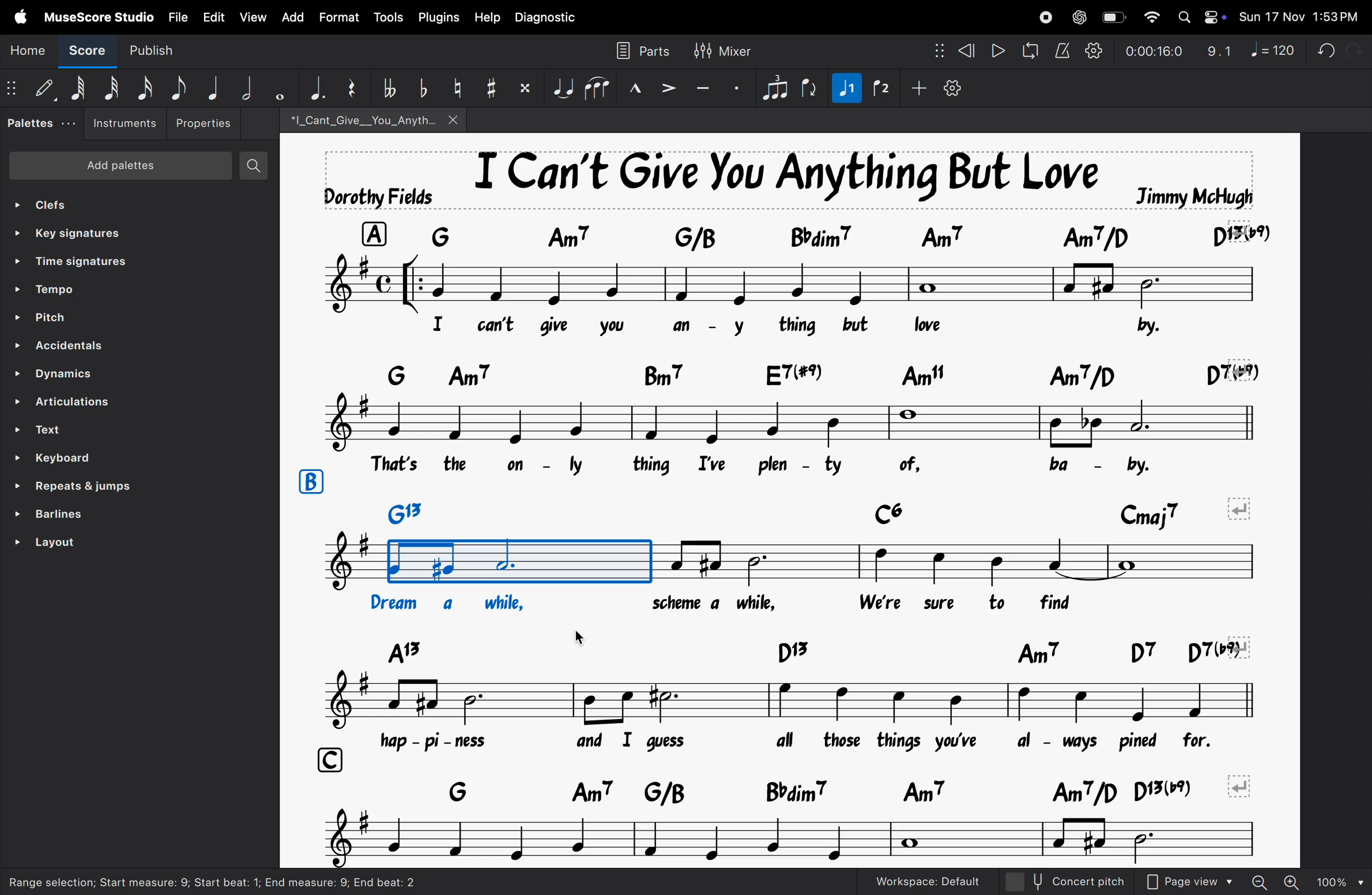  I want to click on Default, so click(43, 88).